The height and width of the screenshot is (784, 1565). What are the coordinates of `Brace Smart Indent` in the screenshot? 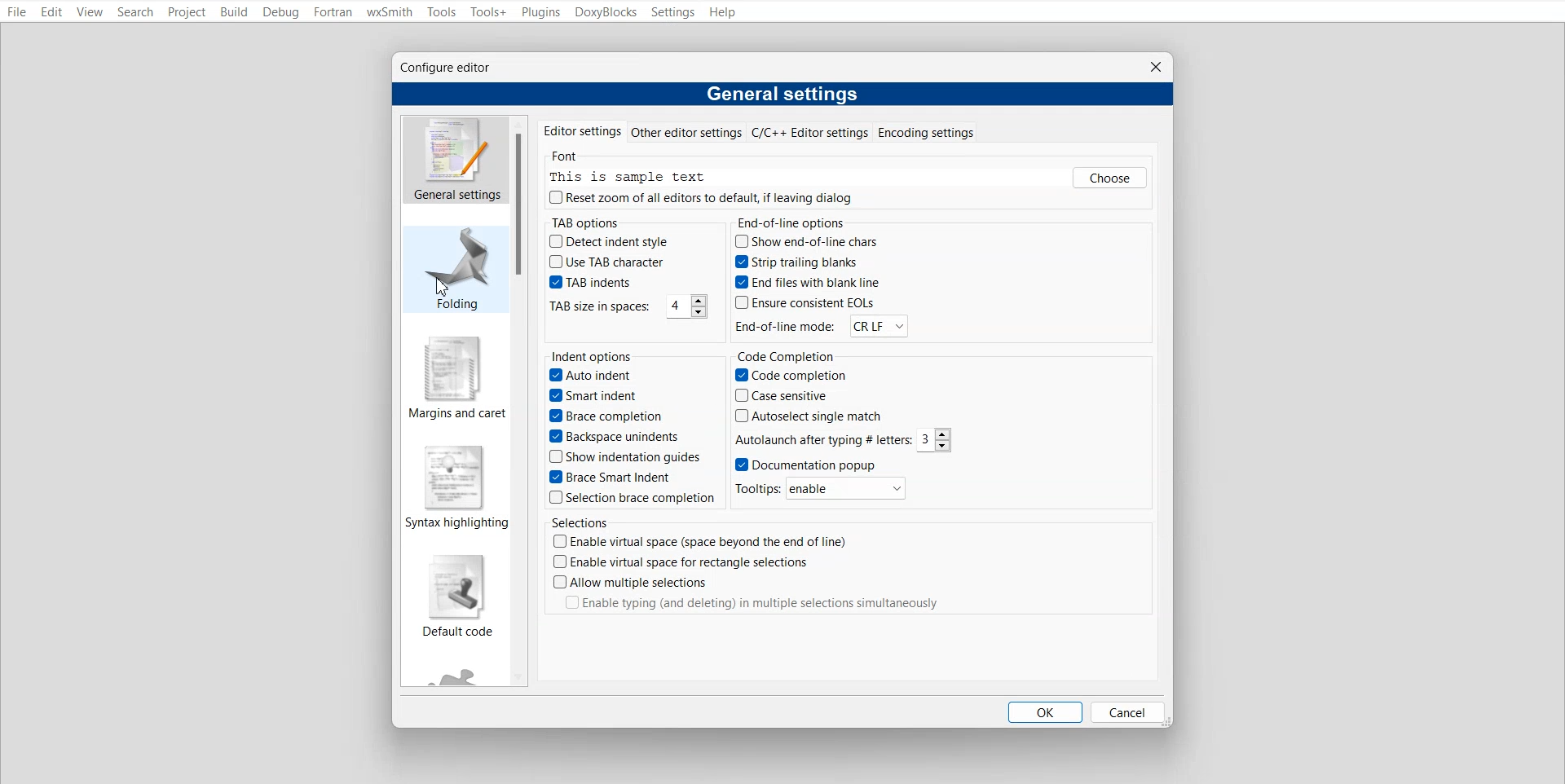 It's located at (614, 478).